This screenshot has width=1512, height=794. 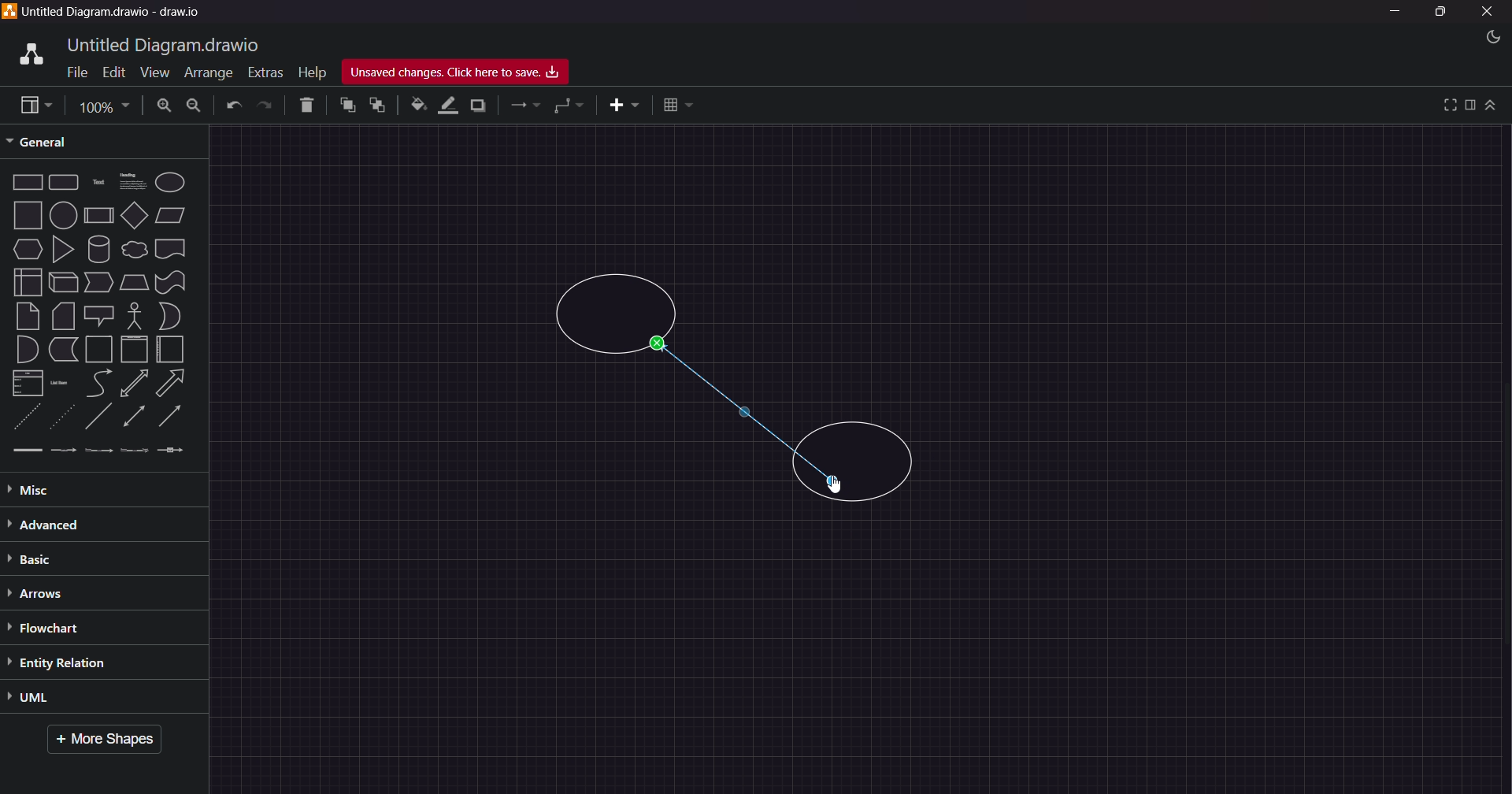 I want to click on Page Size, so click(x=102, y=105).